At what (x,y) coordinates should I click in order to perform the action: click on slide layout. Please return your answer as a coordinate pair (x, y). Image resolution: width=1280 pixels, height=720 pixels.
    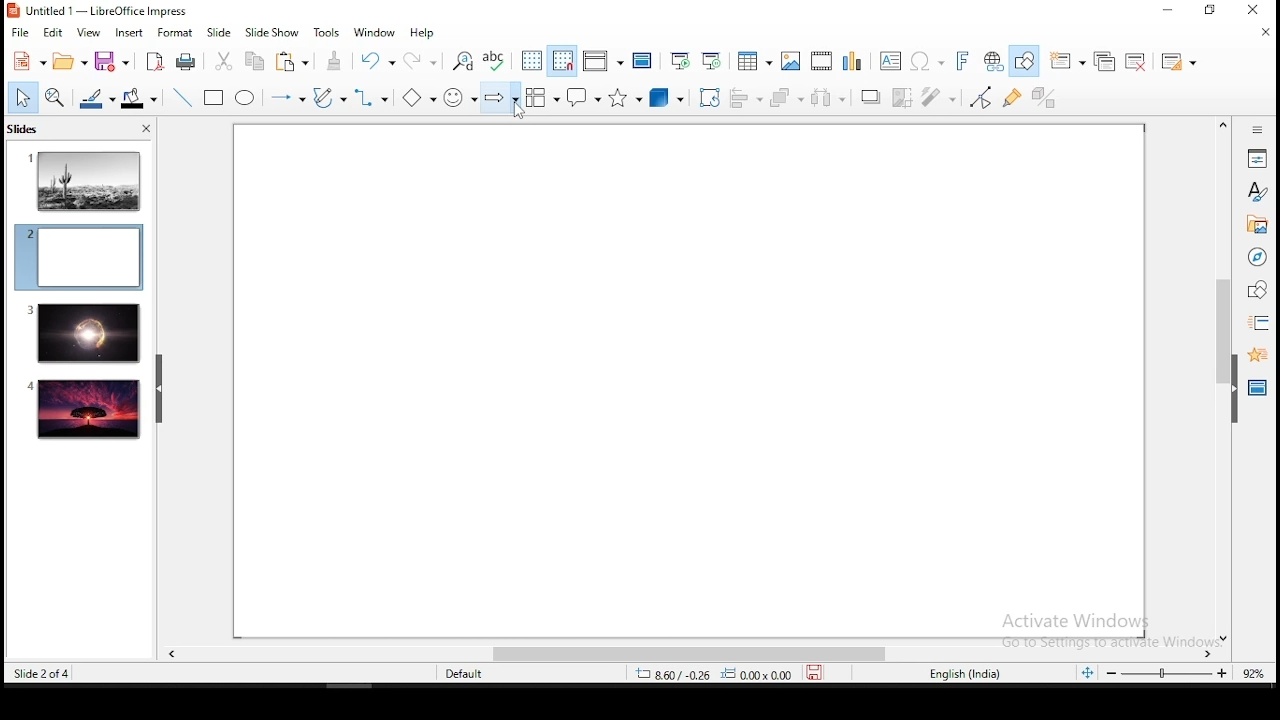
    Looking at the image, I should click on (1176, 62).